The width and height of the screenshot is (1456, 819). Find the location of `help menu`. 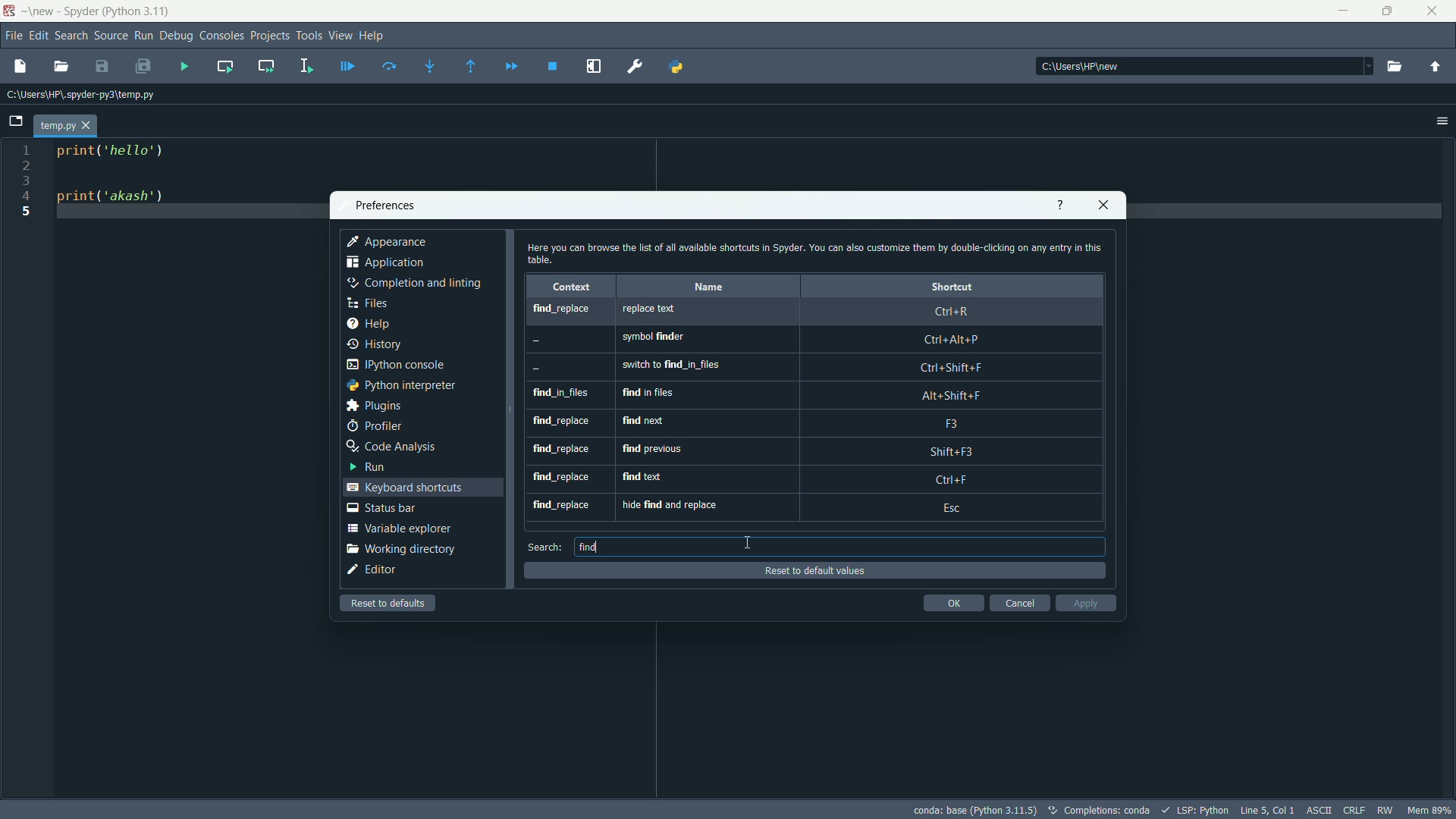

help menu is located at coordinates (375, 37).